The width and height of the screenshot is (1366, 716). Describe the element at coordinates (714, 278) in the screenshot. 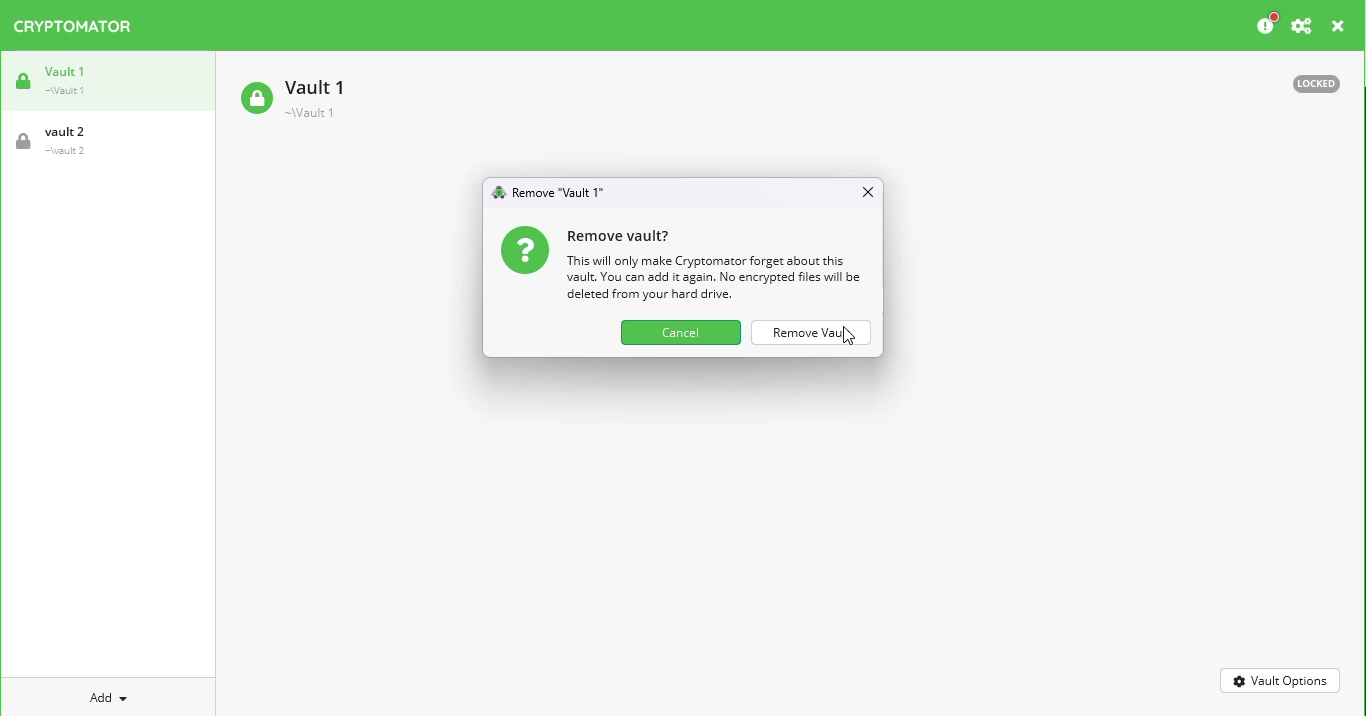

I see `this will only make crytomator forget about this vault. you can add it again. No encrypted files will be deleted from your hard drive.` at that location.